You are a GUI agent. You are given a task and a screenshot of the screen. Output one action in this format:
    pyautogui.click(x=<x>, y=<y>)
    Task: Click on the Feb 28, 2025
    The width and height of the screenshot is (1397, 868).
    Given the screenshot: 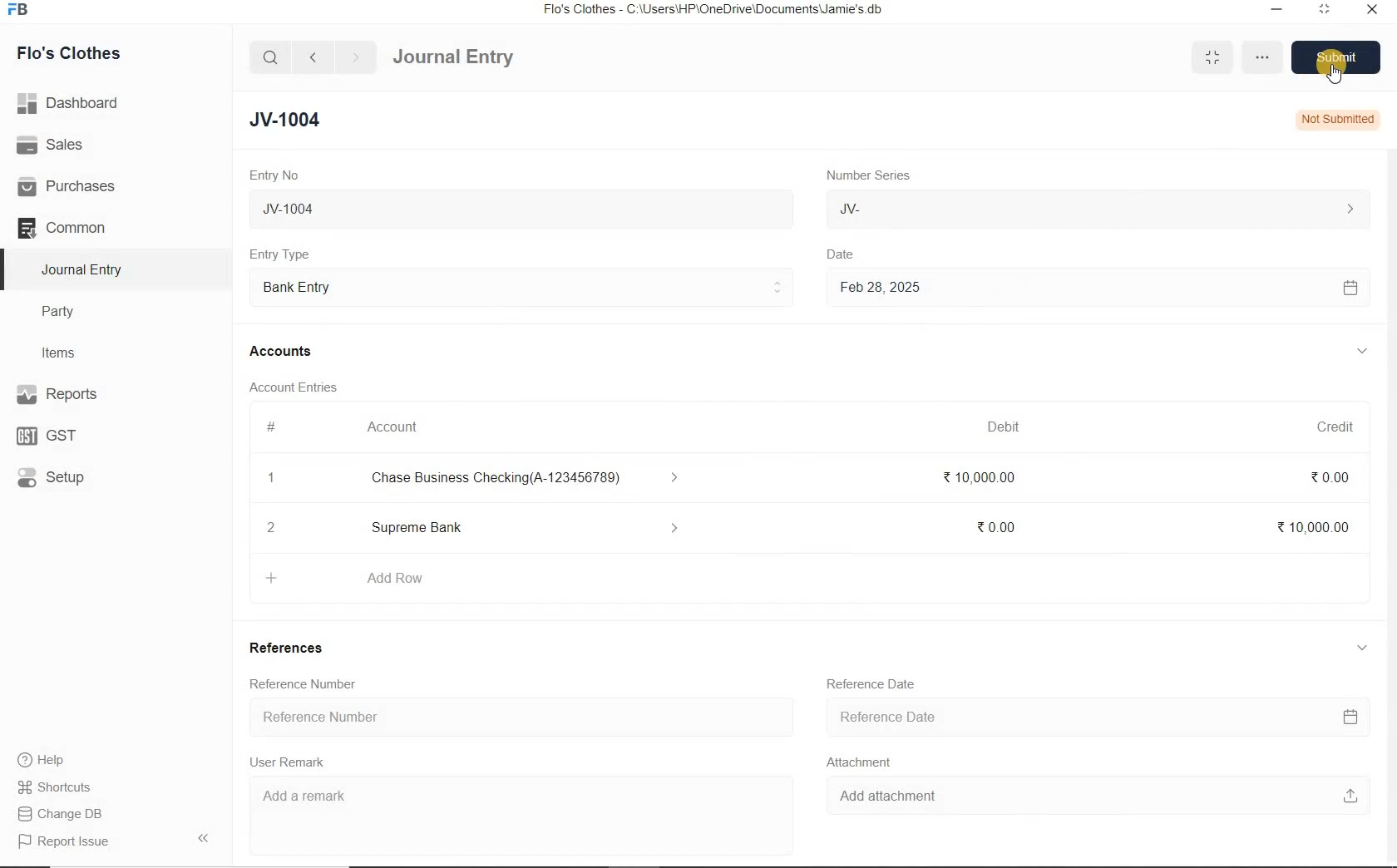 What is the action you would take?
    pyautogui.click(x=1097, y=288)
    